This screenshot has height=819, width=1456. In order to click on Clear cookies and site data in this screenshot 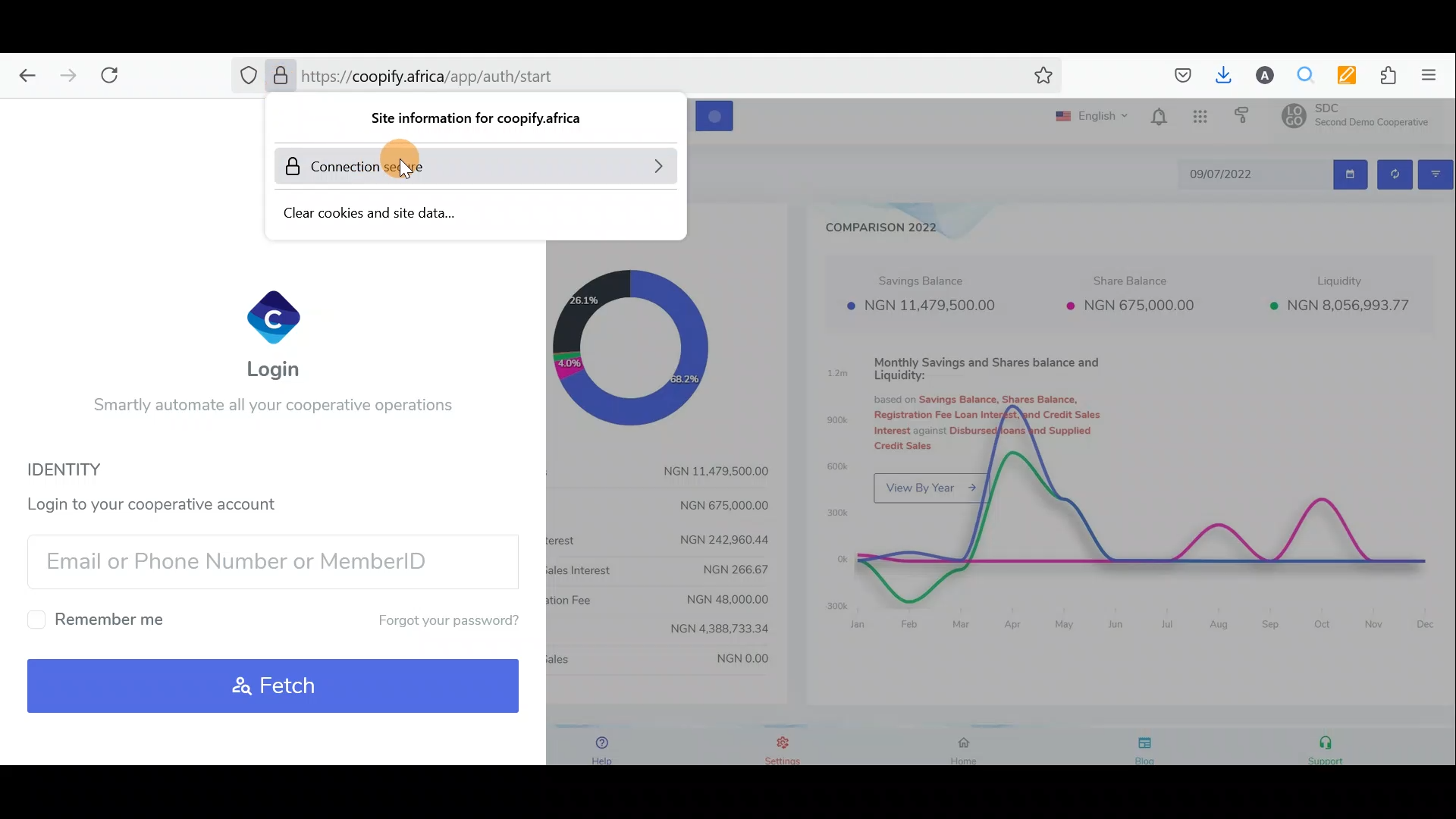, I will do `click(434, 210)`.